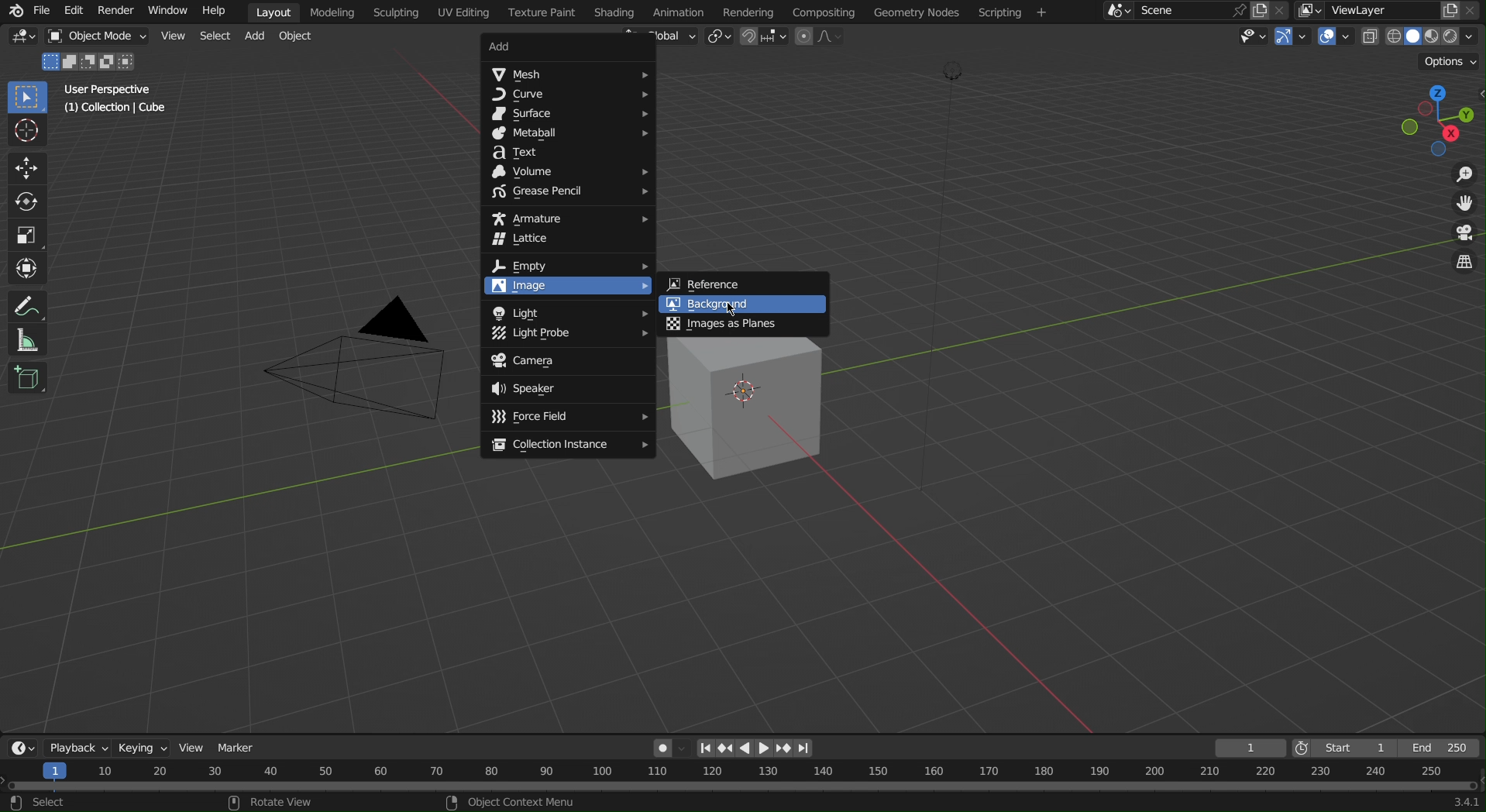 The image size is (1486, 812). What do you see at coordinates (1250, 36) in the screenshot?
I see `View Objects Type` at bounding box center [1250, 36].